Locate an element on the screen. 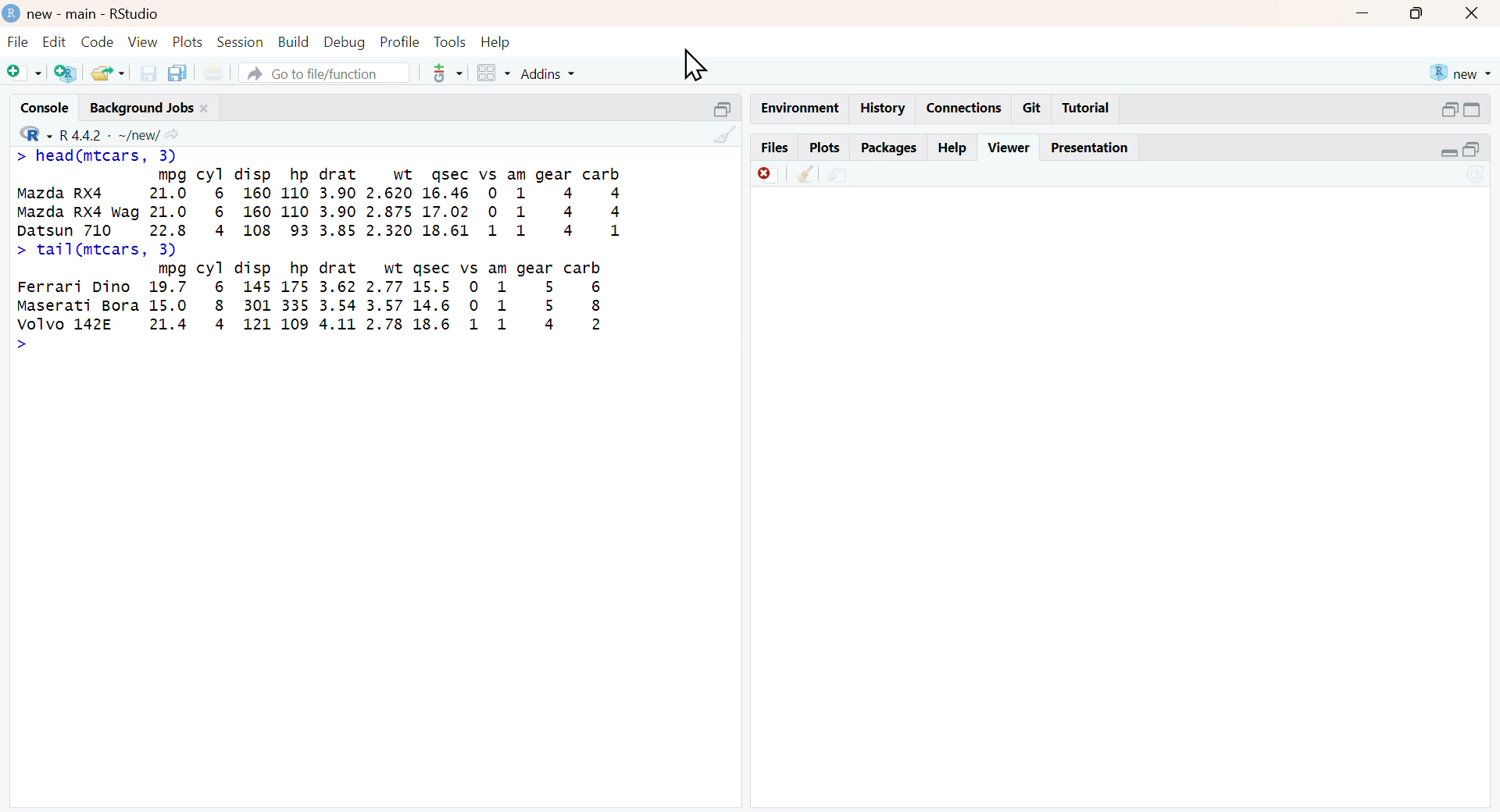 This screenshot has width=1500, height=812. Help is located at coordinates (953, 147).